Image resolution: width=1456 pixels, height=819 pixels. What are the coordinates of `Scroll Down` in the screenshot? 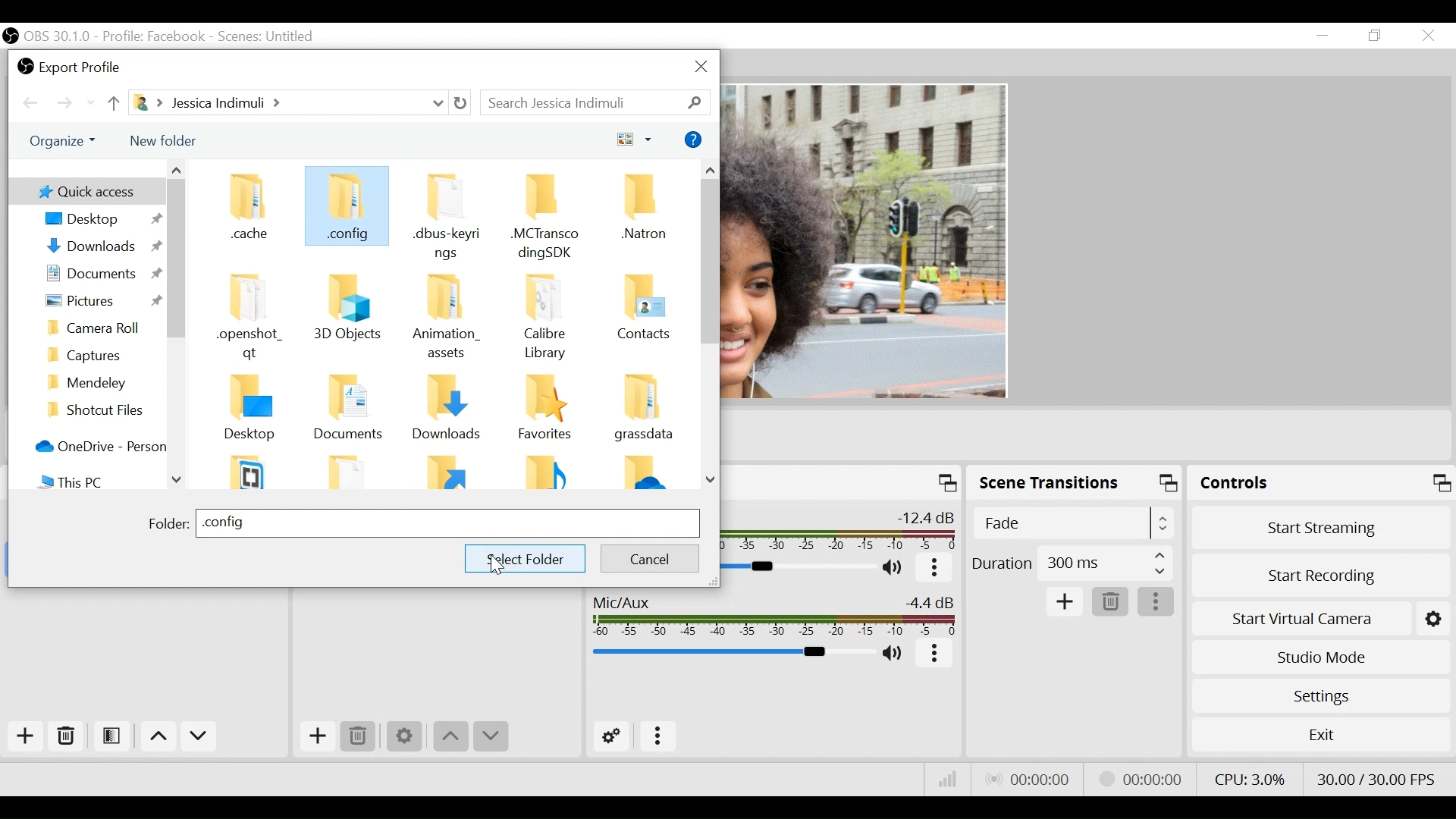 It's located at (711, 480).